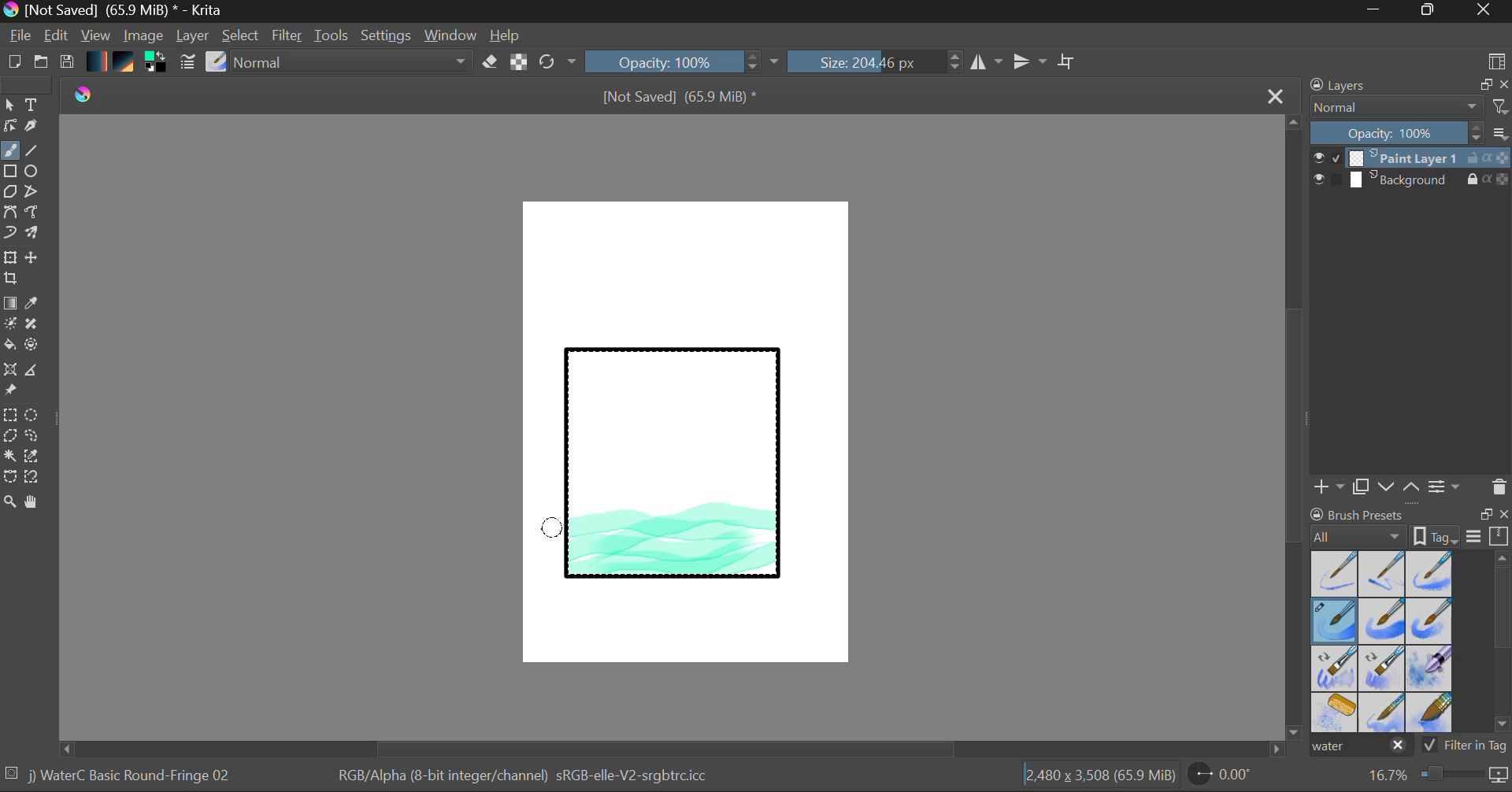  Describe the element at coordinates (1503, 645) in the screenshot. I see `Scroll Bar` at that location.